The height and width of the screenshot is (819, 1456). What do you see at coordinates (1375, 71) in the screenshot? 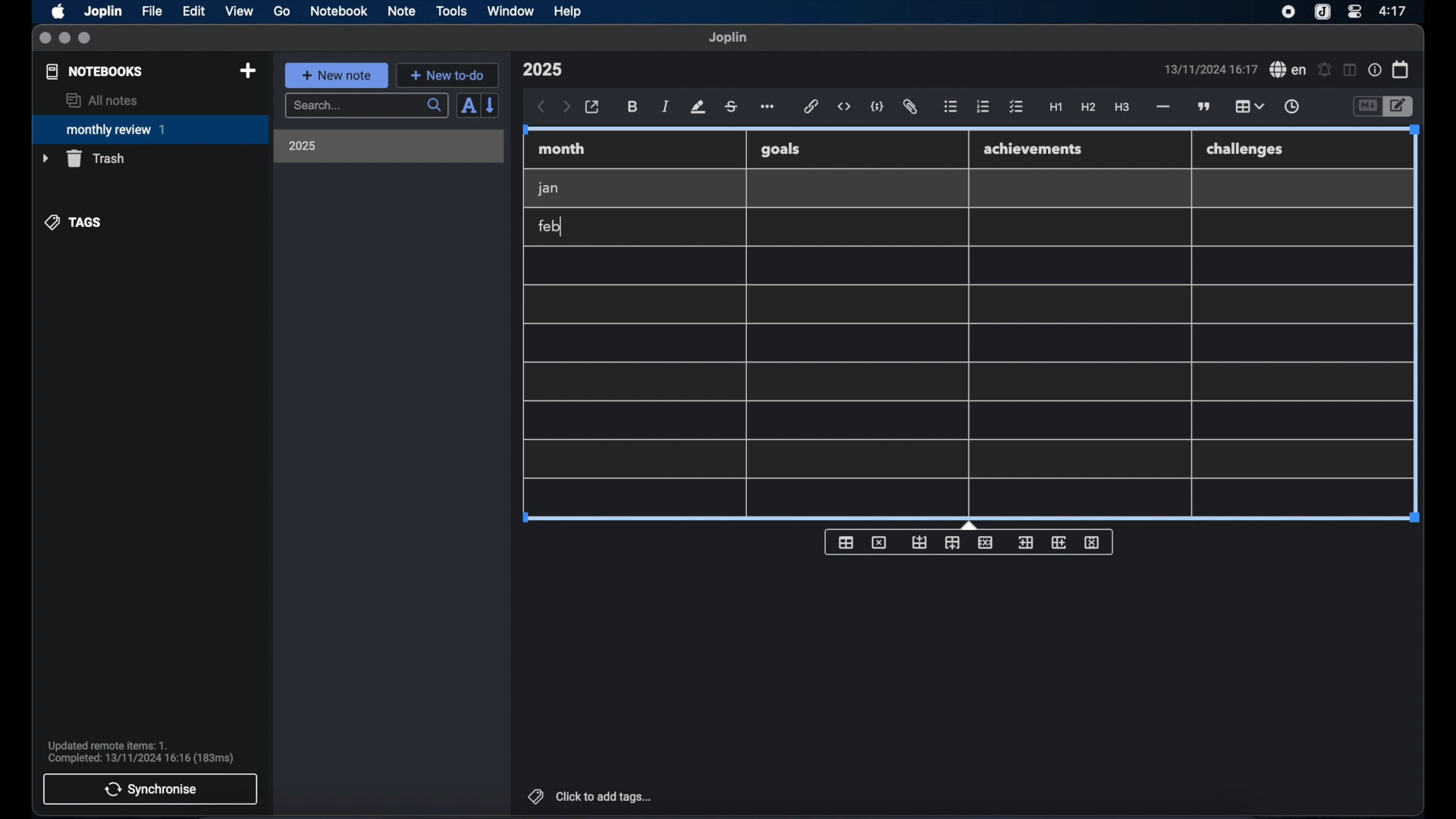
I see `note properties` at bounding box center [1375, 71].